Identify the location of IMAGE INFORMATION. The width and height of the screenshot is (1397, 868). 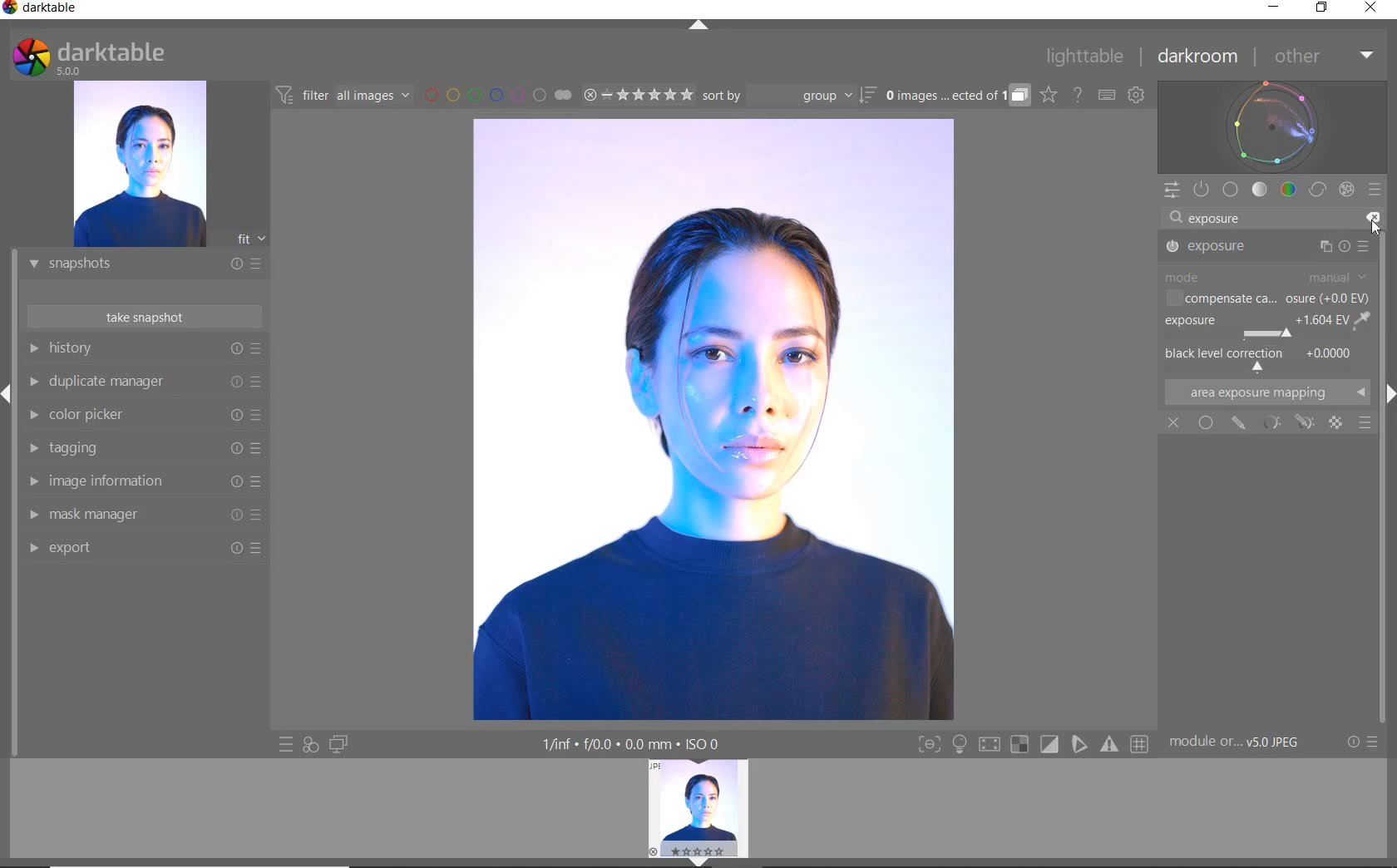
(139, 486).